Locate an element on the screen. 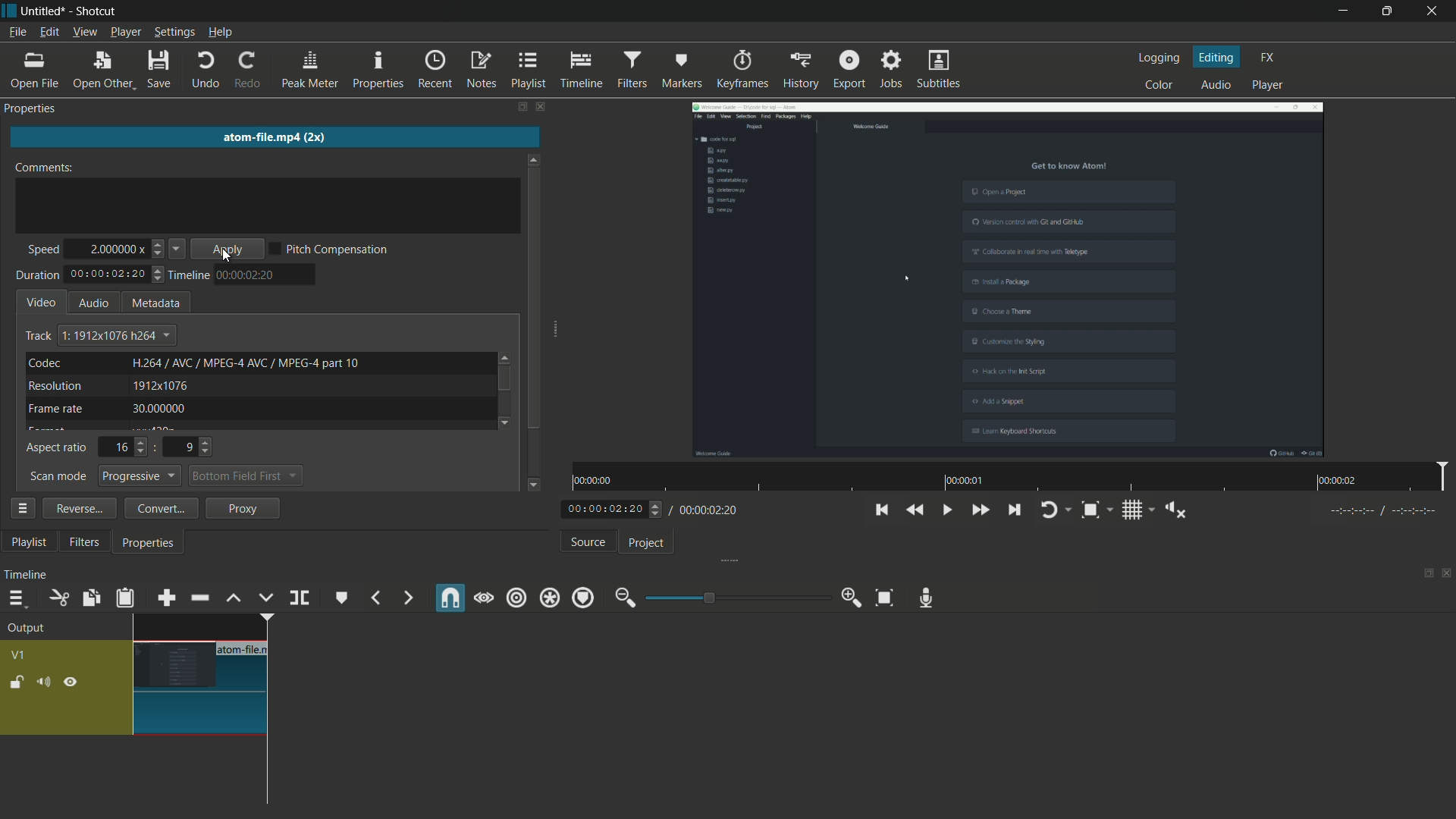 This screenshot has width=1456, height=819. filters is located at coordinates (632, 69).